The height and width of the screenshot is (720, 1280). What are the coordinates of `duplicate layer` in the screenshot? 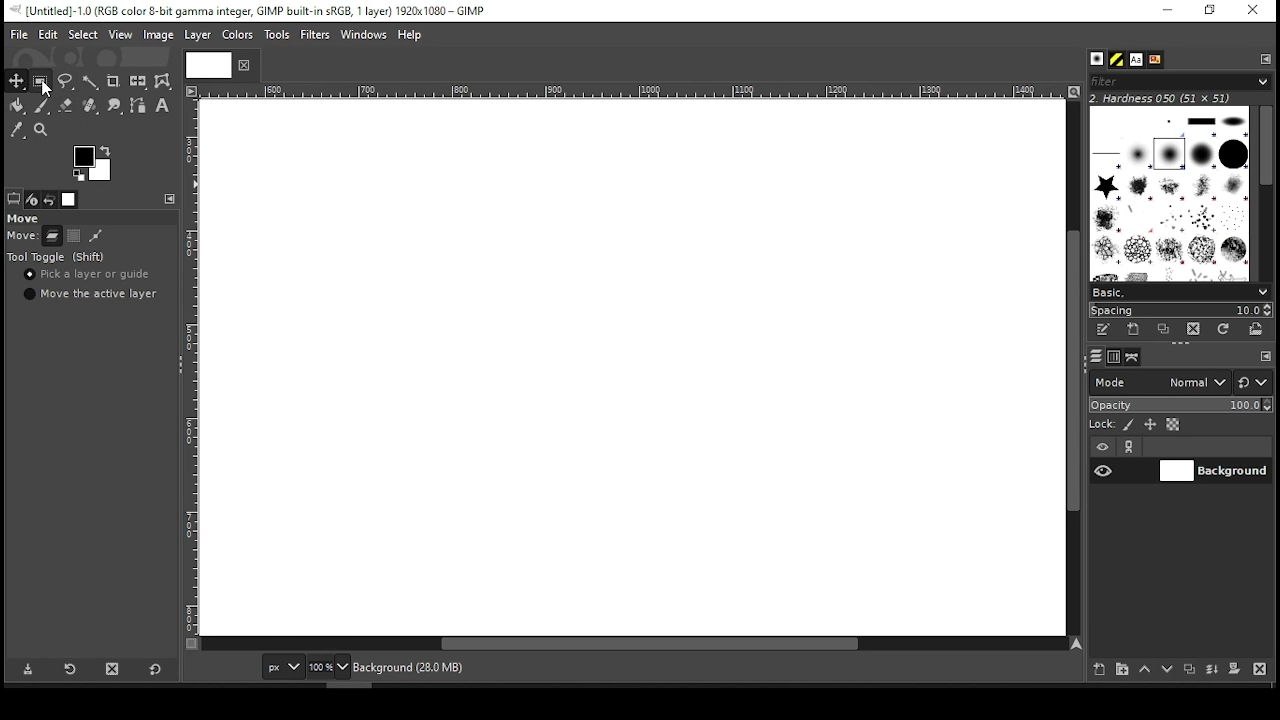 It's located at (1192, 671).